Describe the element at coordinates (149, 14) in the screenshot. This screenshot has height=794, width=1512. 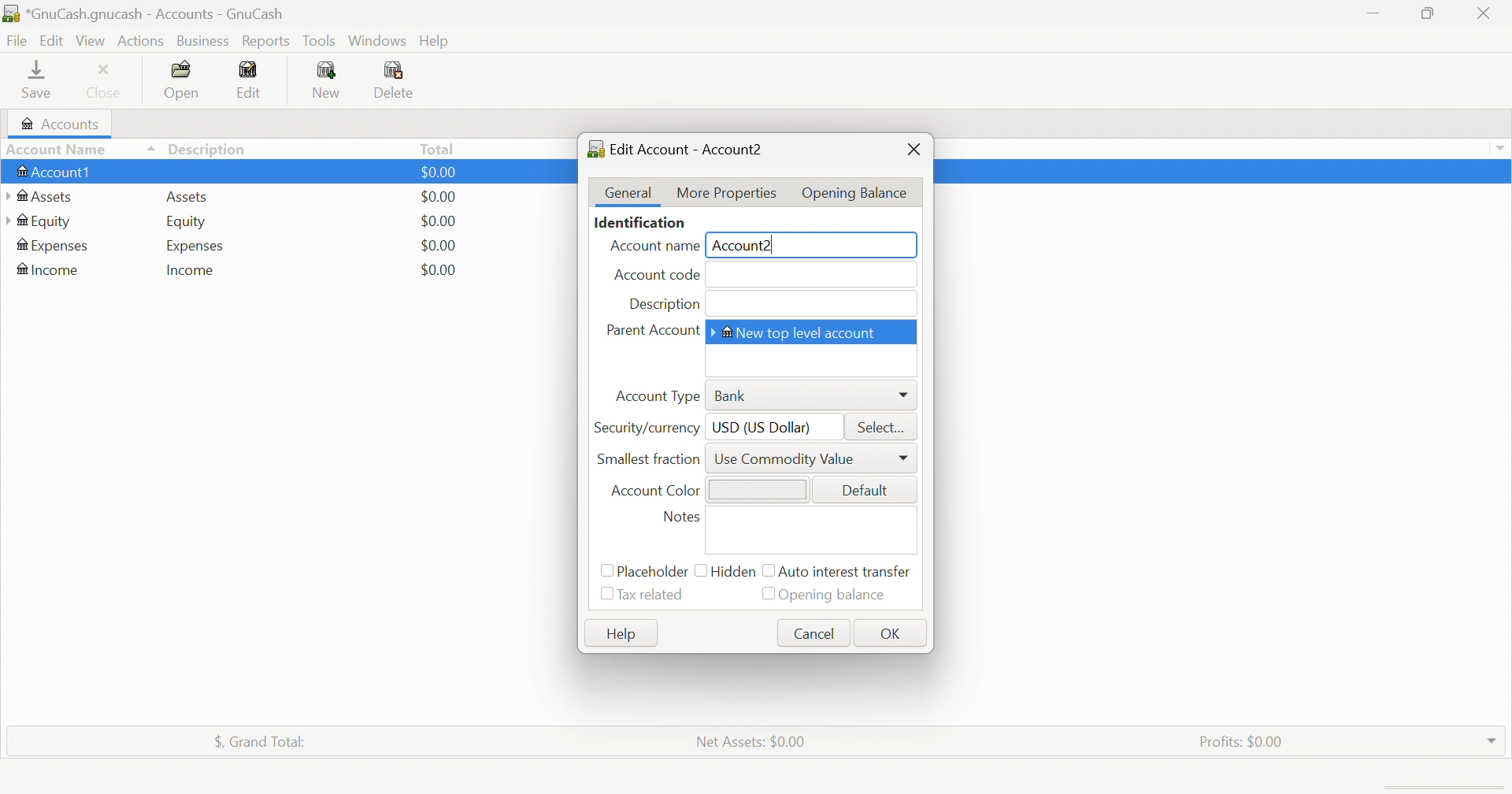
I see `*GnuCash.gnucash - Accounts - GnuCash` at that location.